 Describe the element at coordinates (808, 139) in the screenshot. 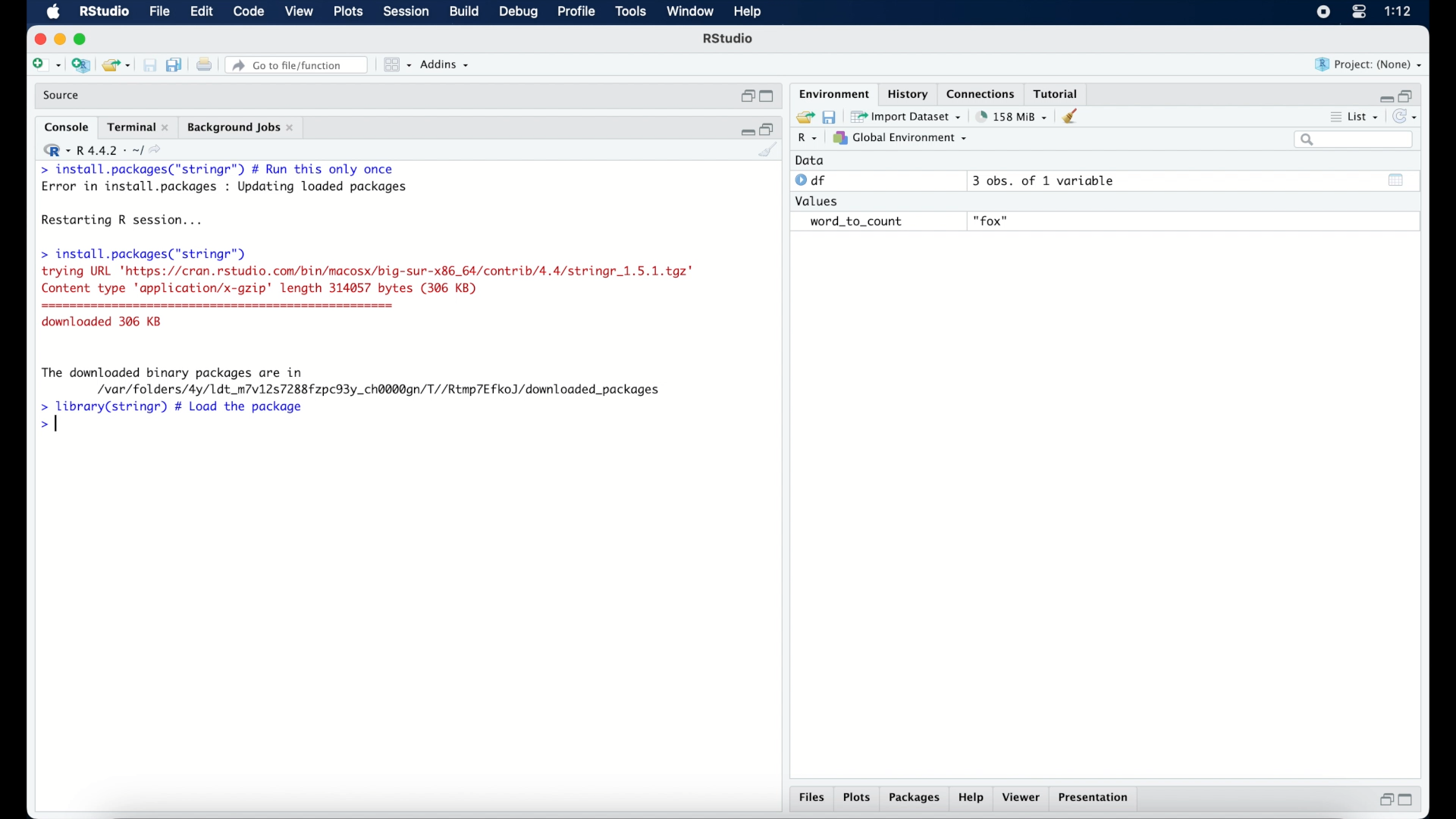

I see `R` at that location.